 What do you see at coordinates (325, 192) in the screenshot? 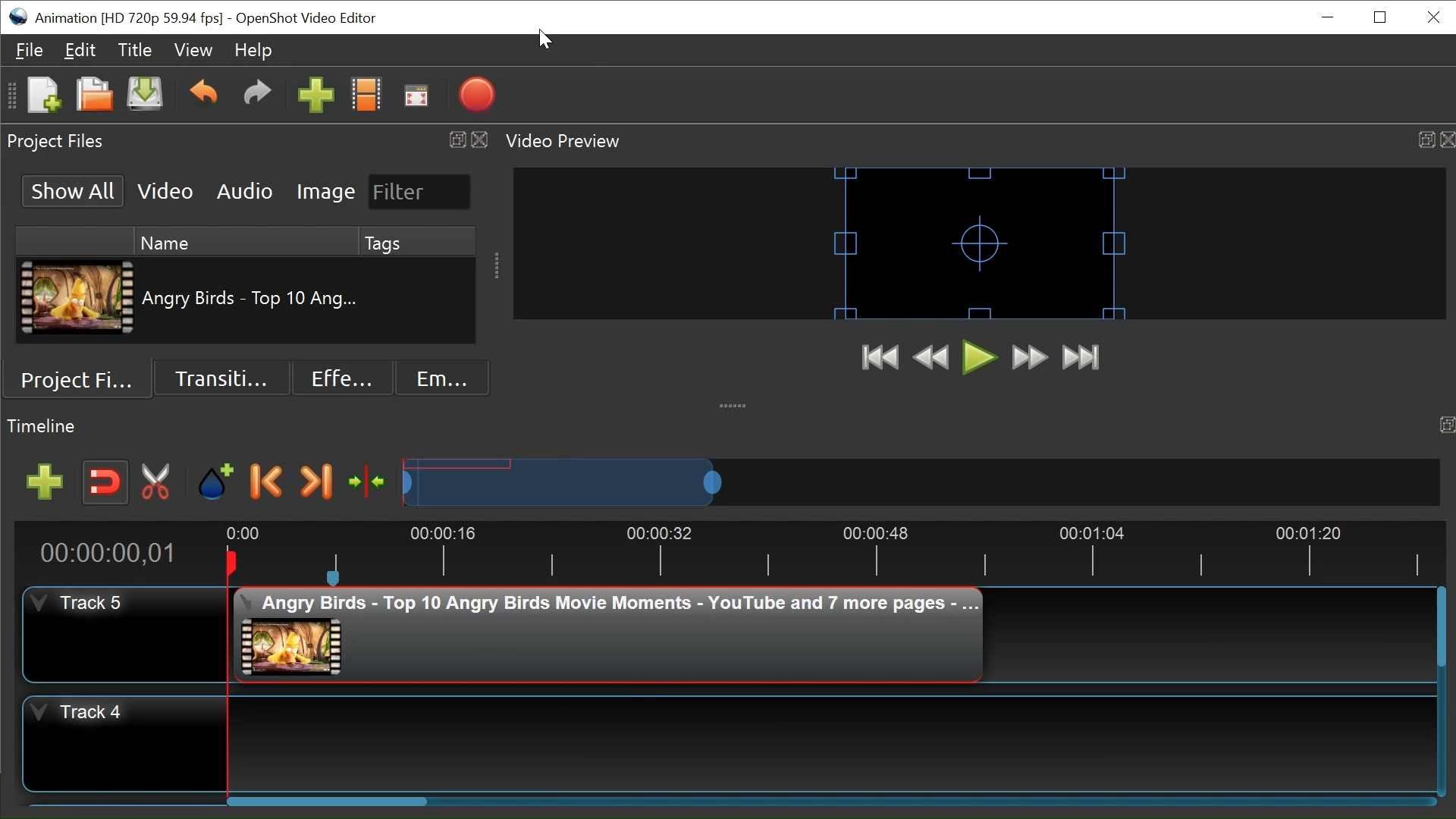
I see `Image` at bounding box center [325, 192].